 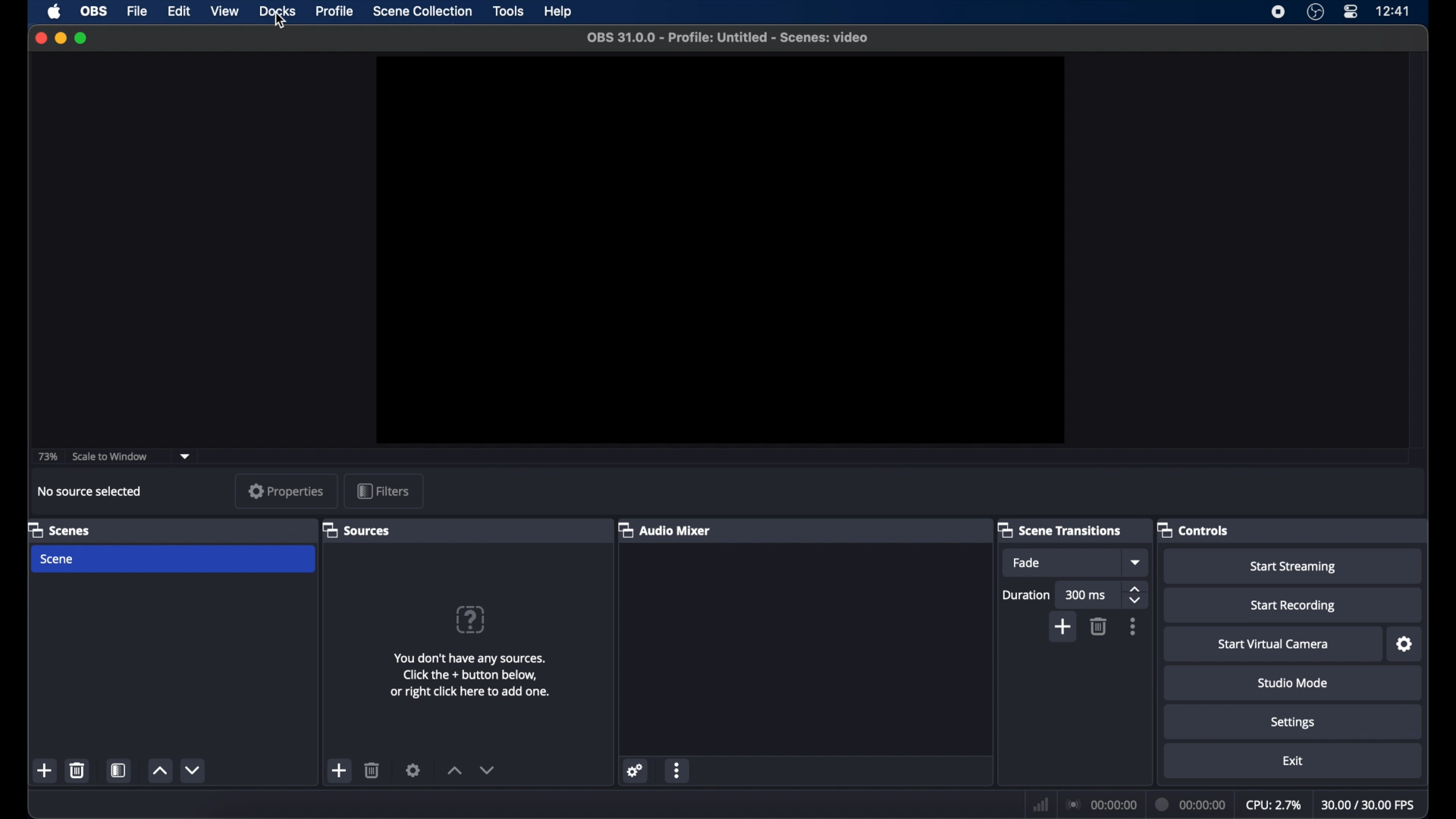 I want to click on network, so click(x=1040, y=805).